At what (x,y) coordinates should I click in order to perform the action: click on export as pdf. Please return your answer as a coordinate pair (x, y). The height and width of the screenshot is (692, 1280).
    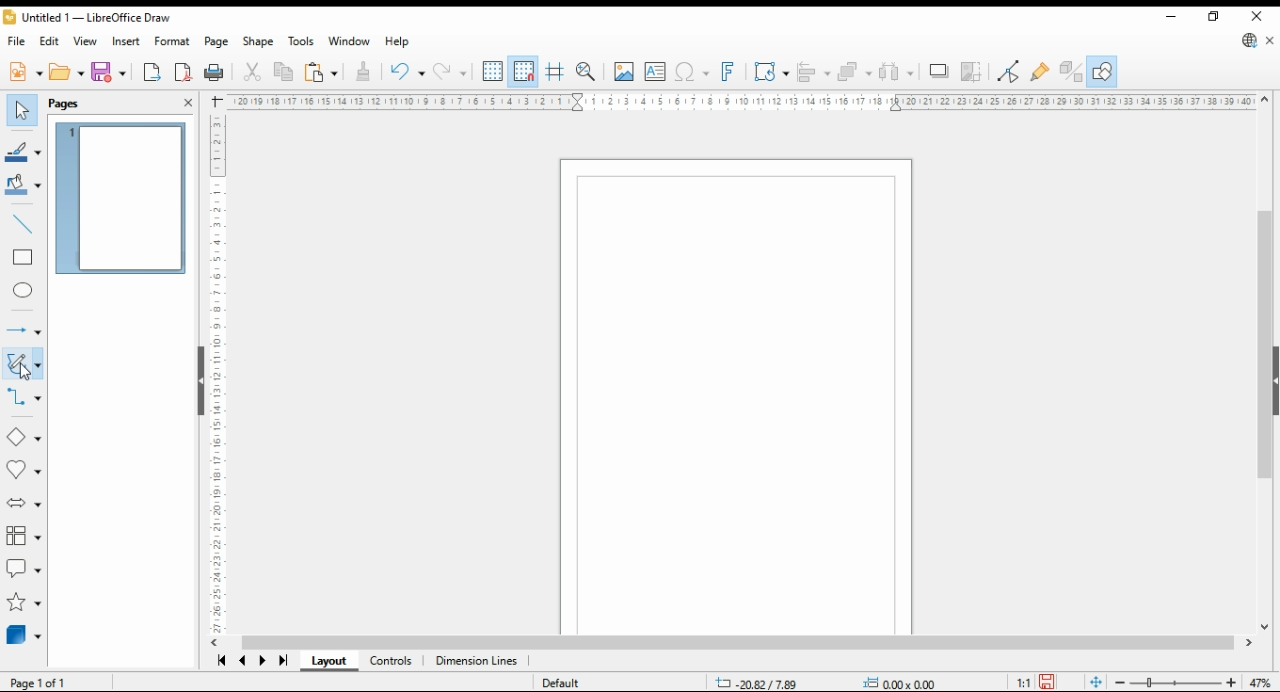
    Looking at the image, I should click on (183, 73).